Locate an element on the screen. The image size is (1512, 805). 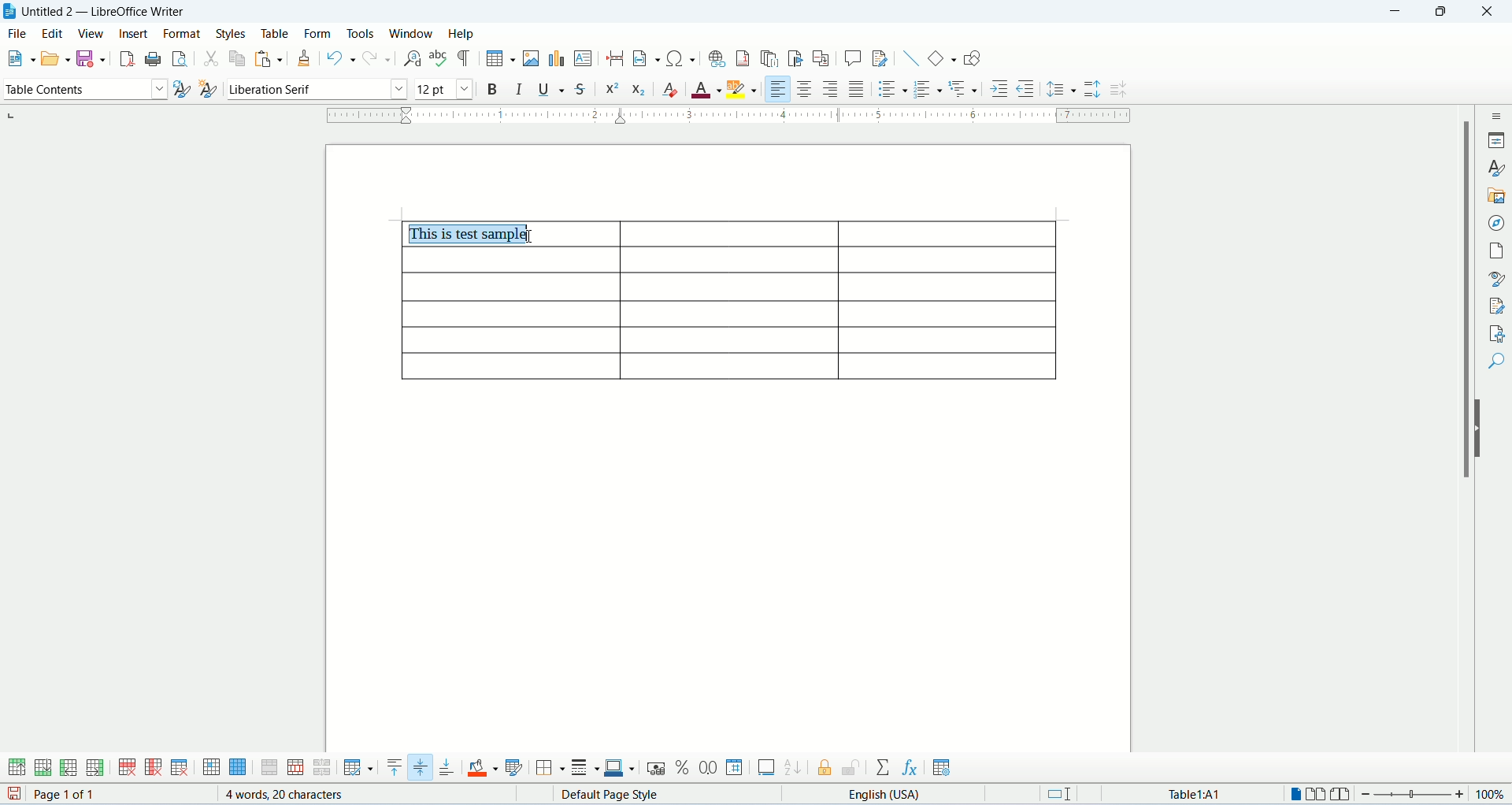
align right is located at coordinates (833, 88).